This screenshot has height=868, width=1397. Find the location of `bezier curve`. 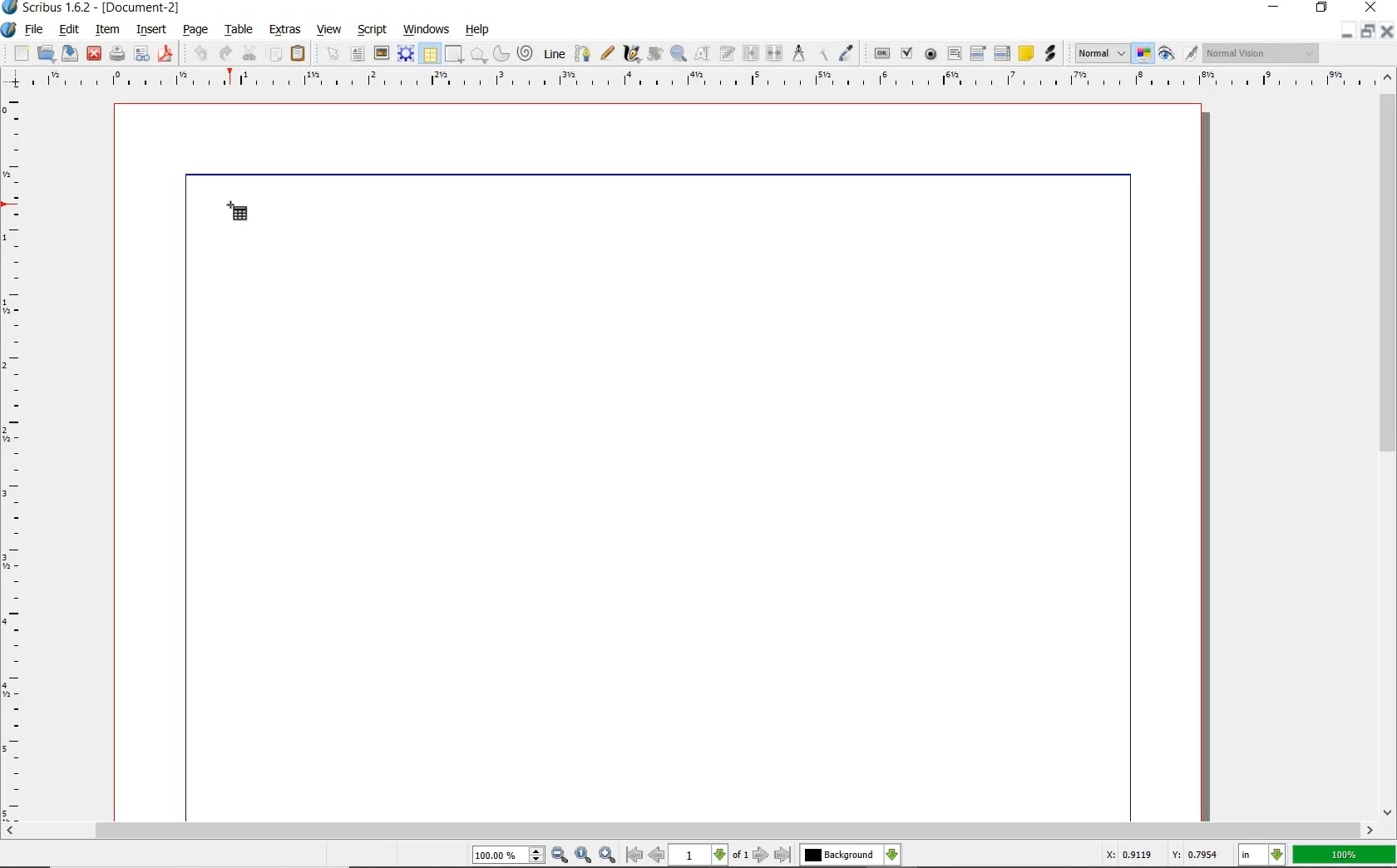

bezier curve is located at coordinates (583, 56).